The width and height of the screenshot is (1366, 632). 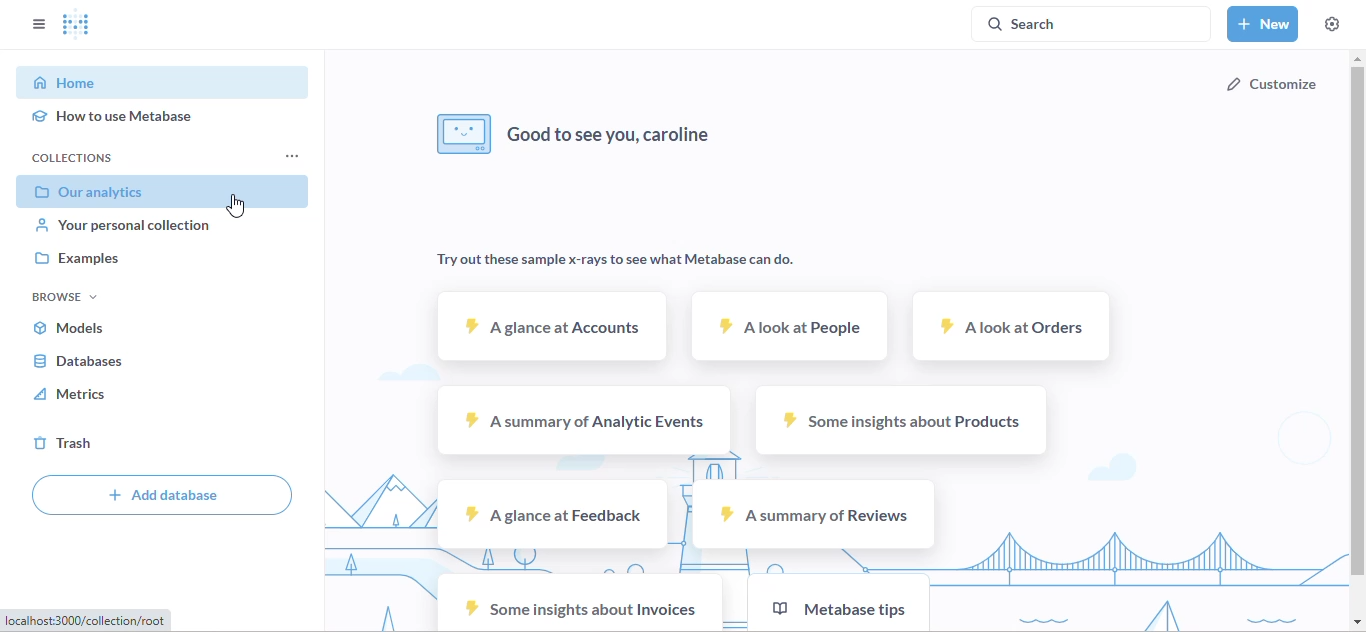 What do you see at coordinates (578, 604) in the screenshot?
I see `some insights about invoices` at bounding box center [578, 604].